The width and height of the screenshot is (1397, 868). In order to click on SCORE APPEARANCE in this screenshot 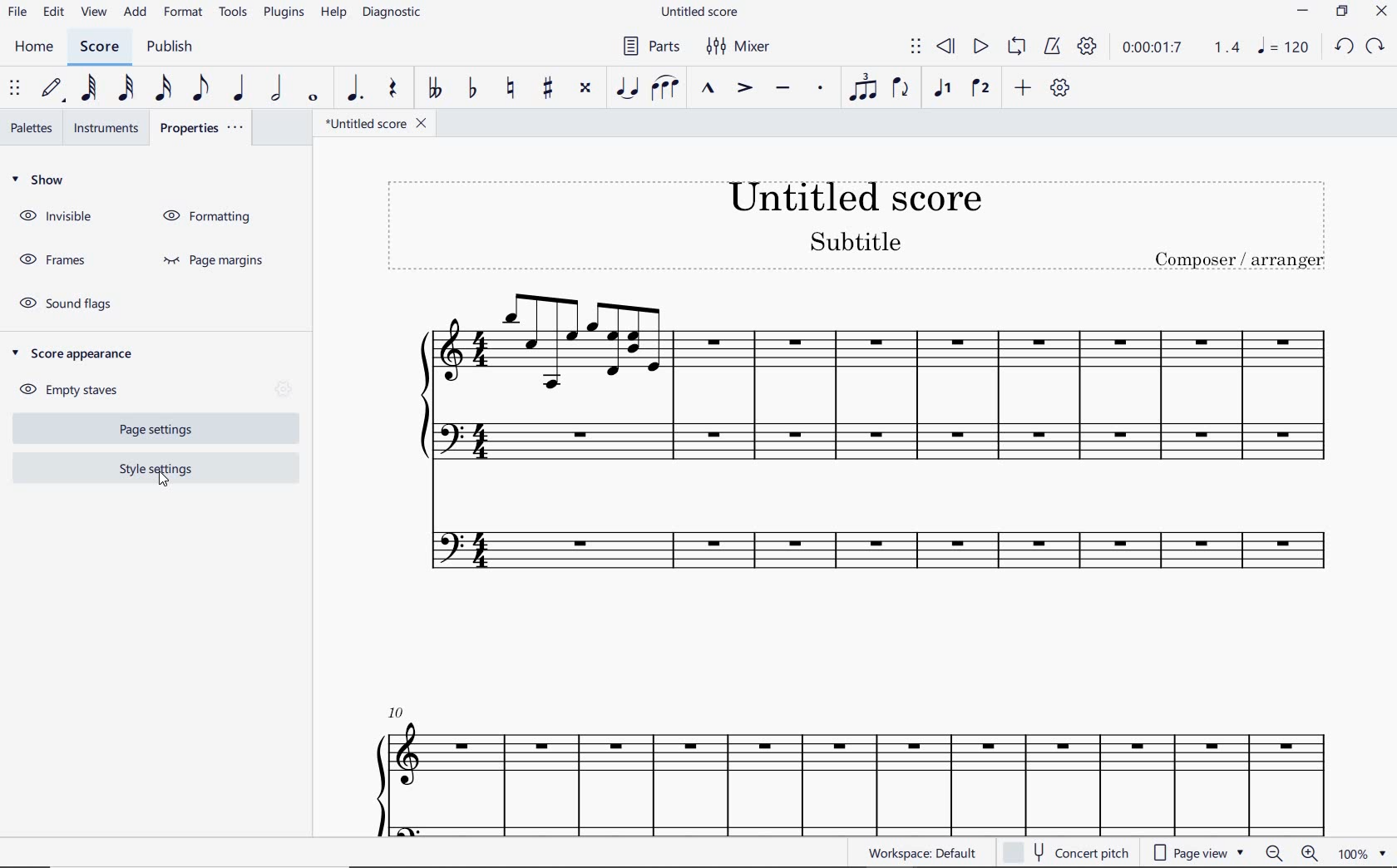, I will do `click(78, 353)`.